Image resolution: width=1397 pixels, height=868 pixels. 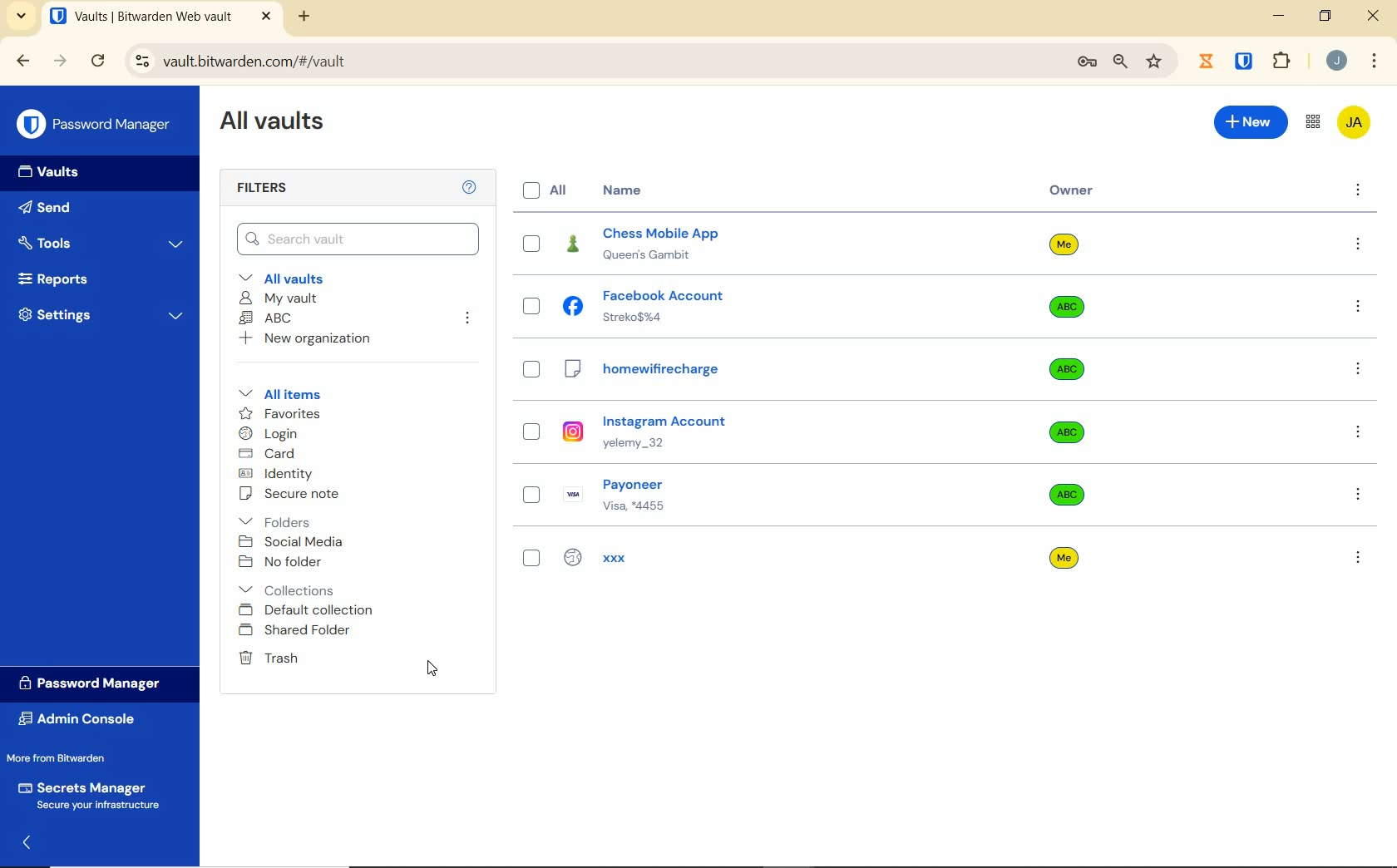 What do you see at coordinates (1357, 192) in the screenshot?
I see `more options` at bounding box center [1357, 192].